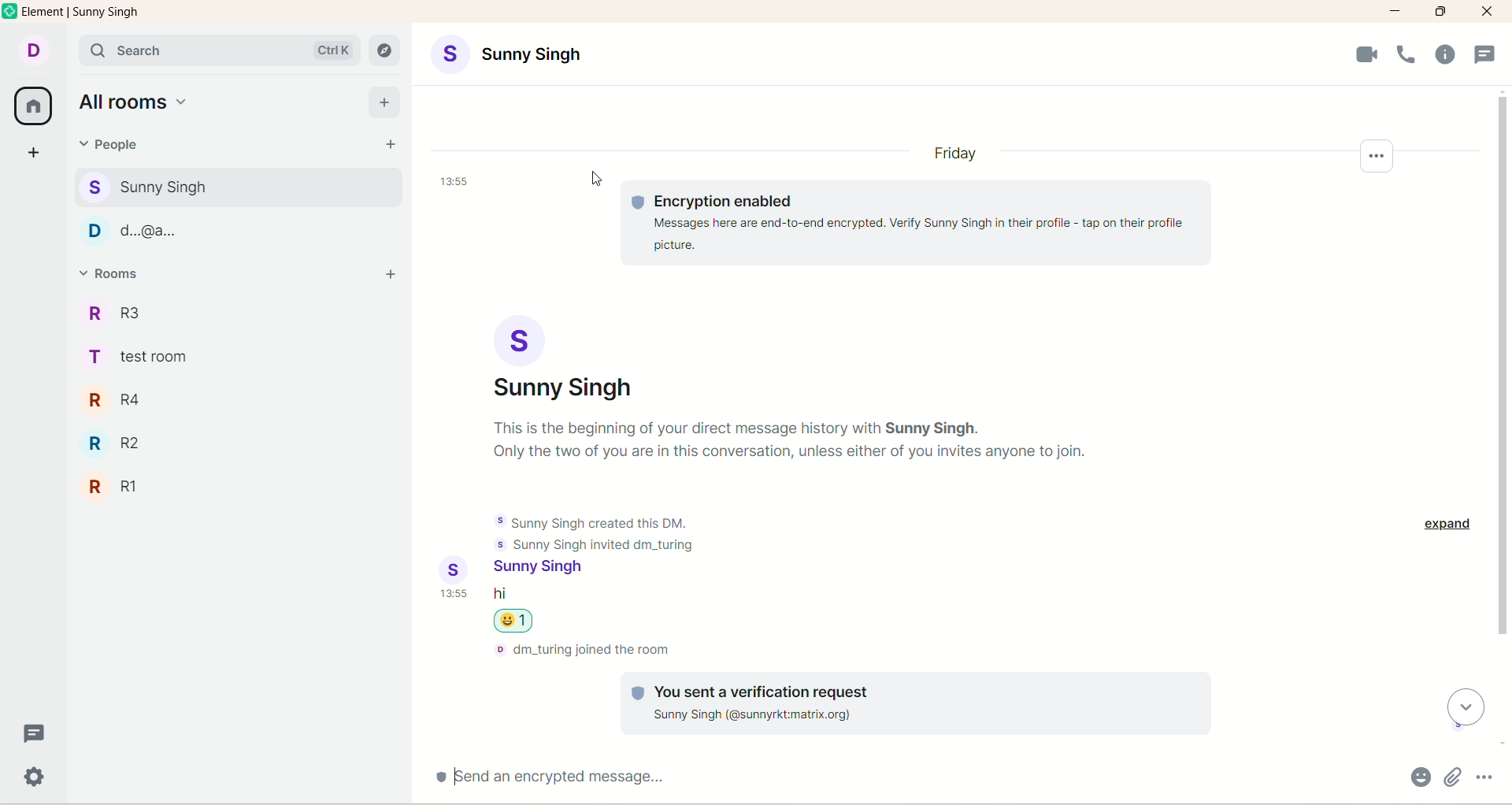  What do you see at coordinates (106, 144) in the screenshot?
I see `people` at bounding box center [106, 144].